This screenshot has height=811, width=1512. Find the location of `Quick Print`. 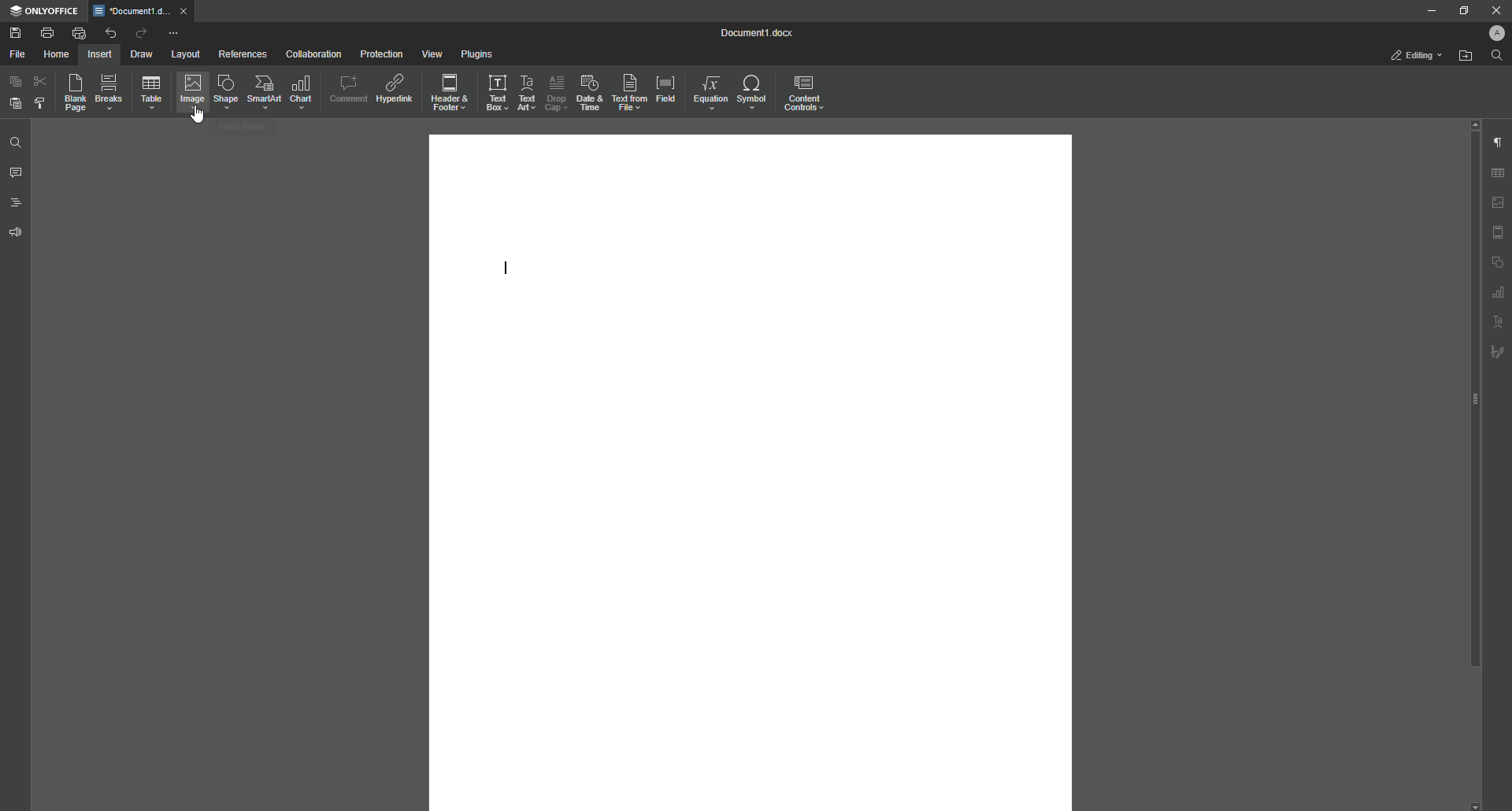

Quick Print is located at coordinates (78, 31).